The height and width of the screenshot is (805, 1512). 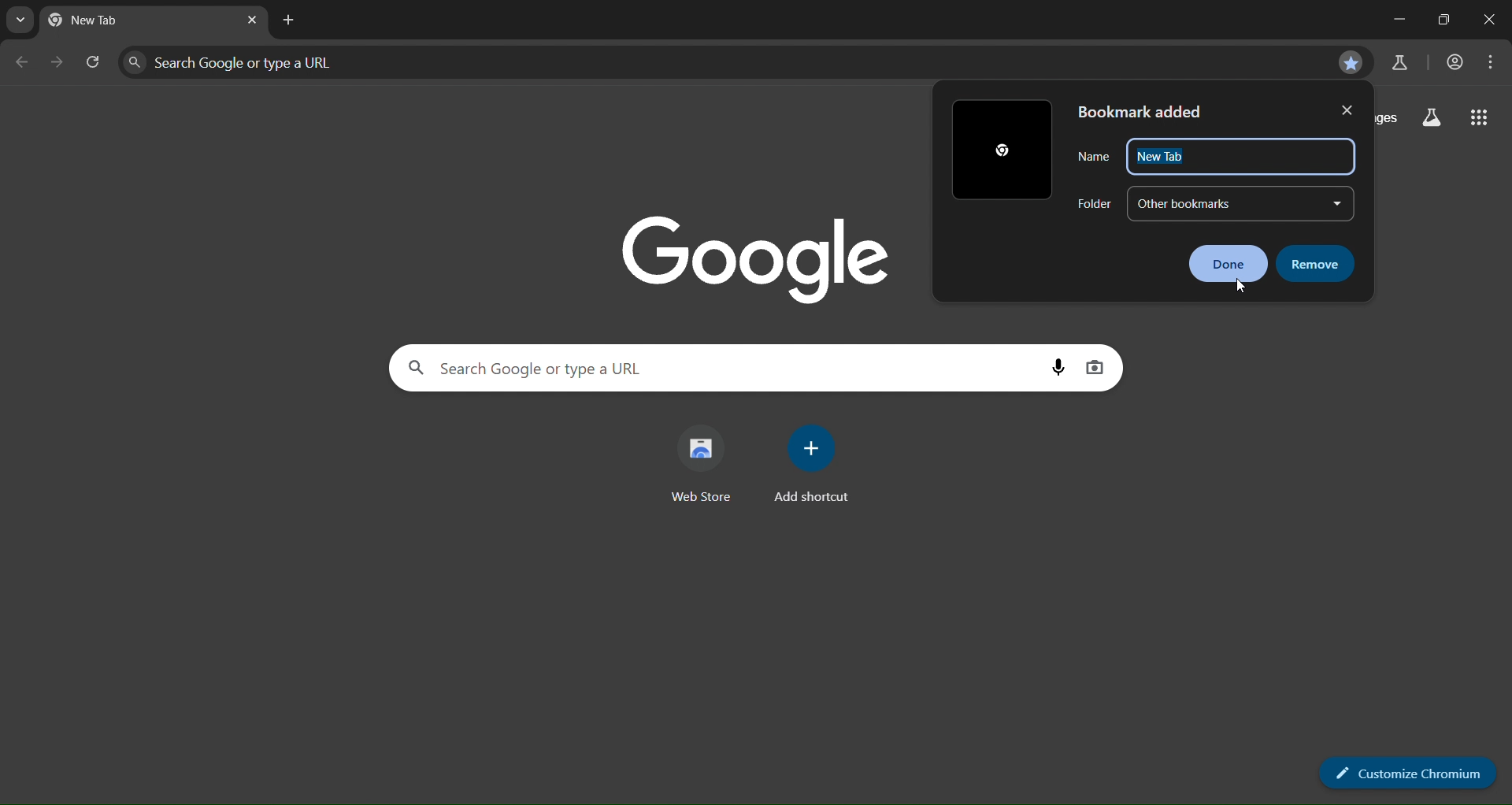 I want to click on google apps, so click(x=1477, y=121).